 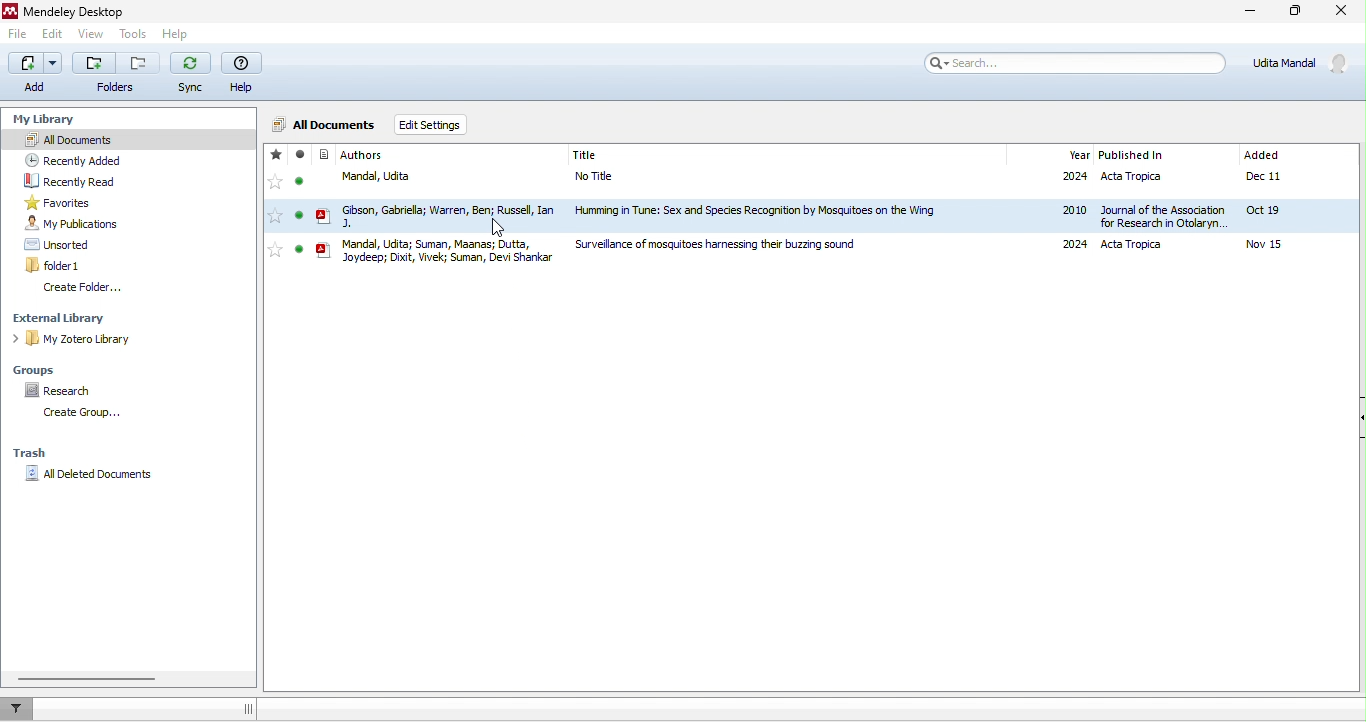 I want to click on filter, so click(x=21, y=708).